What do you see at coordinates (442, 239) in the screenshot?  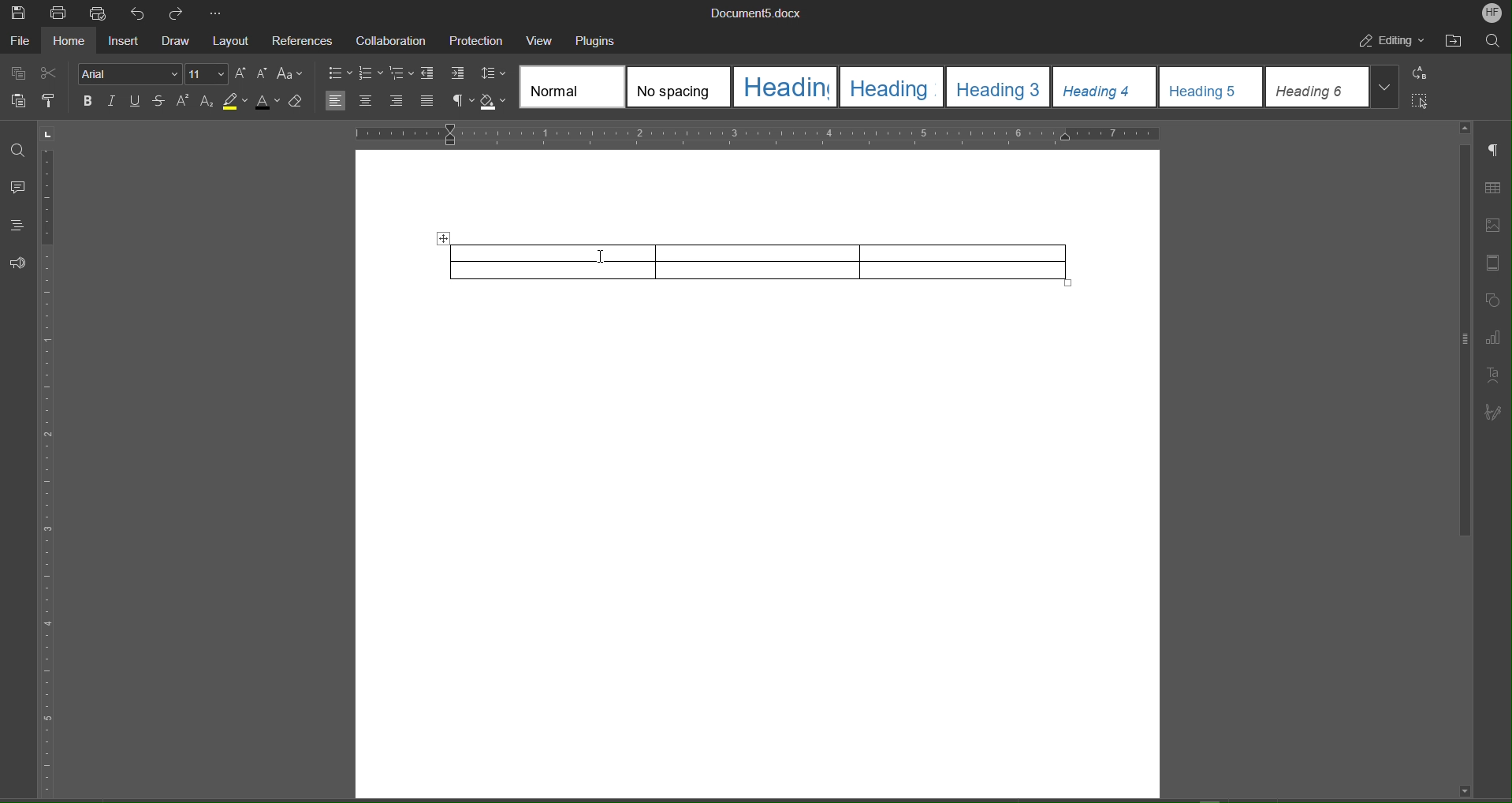 I see `Move table` at bounding box center [442, 239].